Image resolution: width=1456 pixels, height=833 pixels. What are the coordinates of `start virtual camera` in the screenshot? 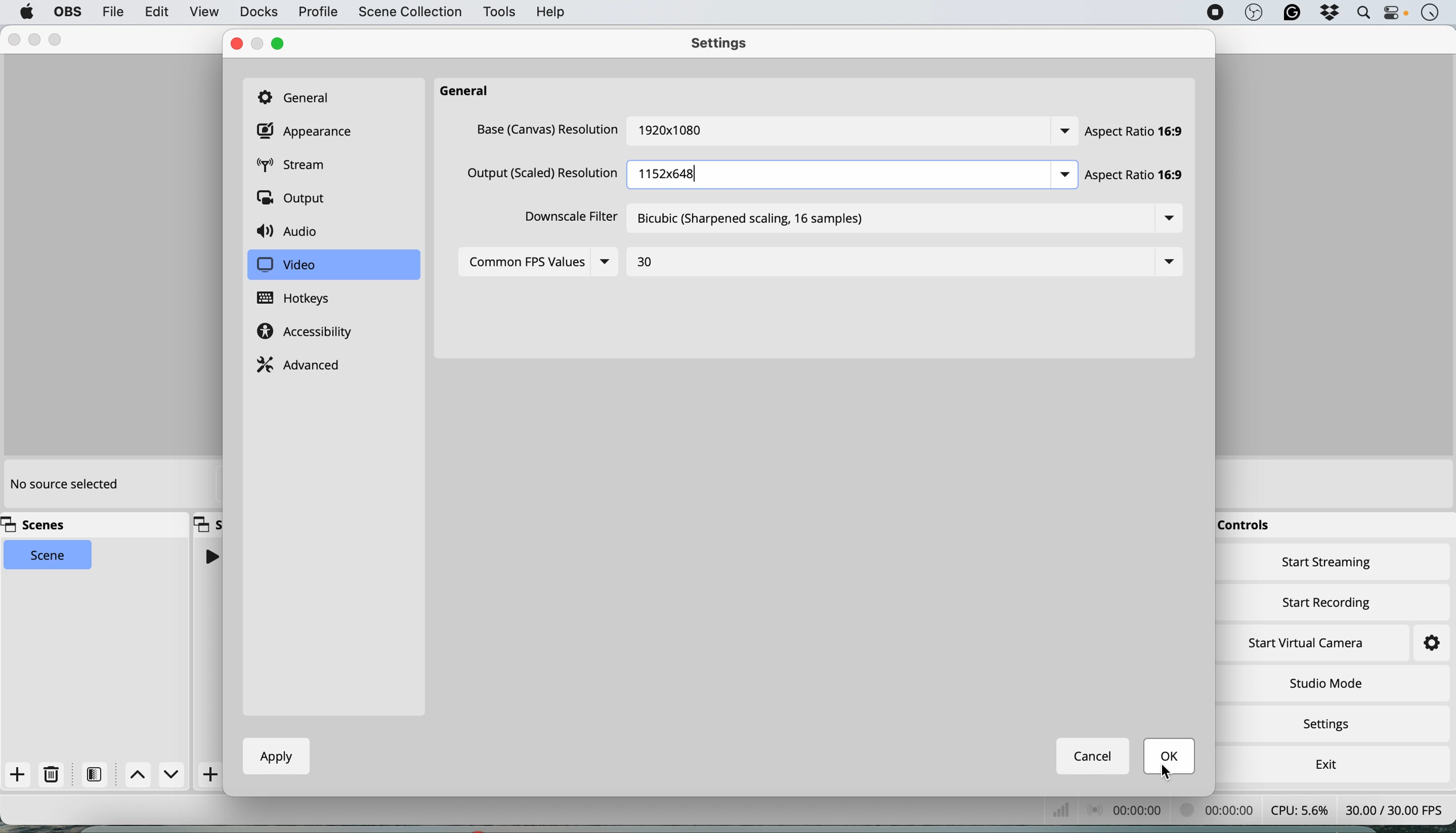 It's located at (1307, 643).